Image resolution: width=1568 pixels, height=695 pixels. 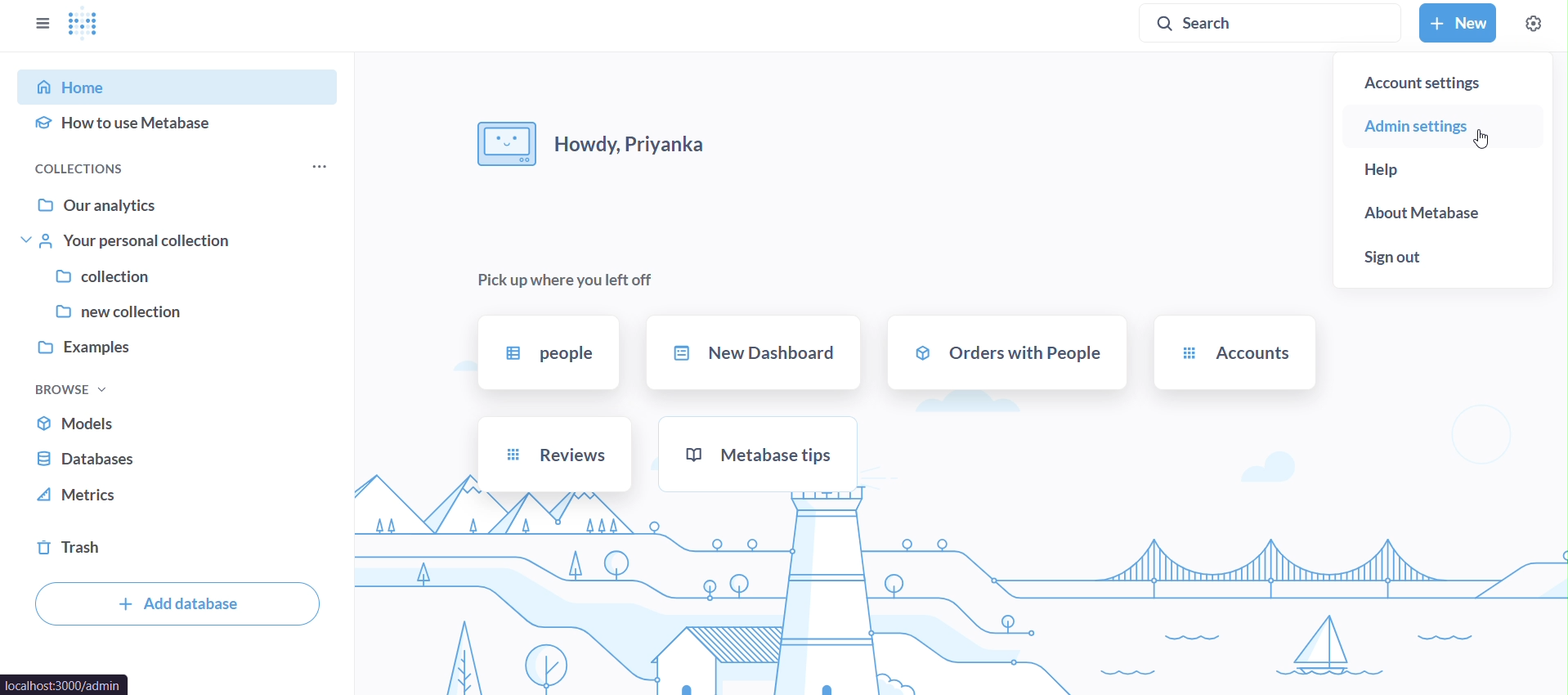 What do you see at coordinates (180, 277) in the screenshot?
I see `collection` at bounding box center [180, 277].